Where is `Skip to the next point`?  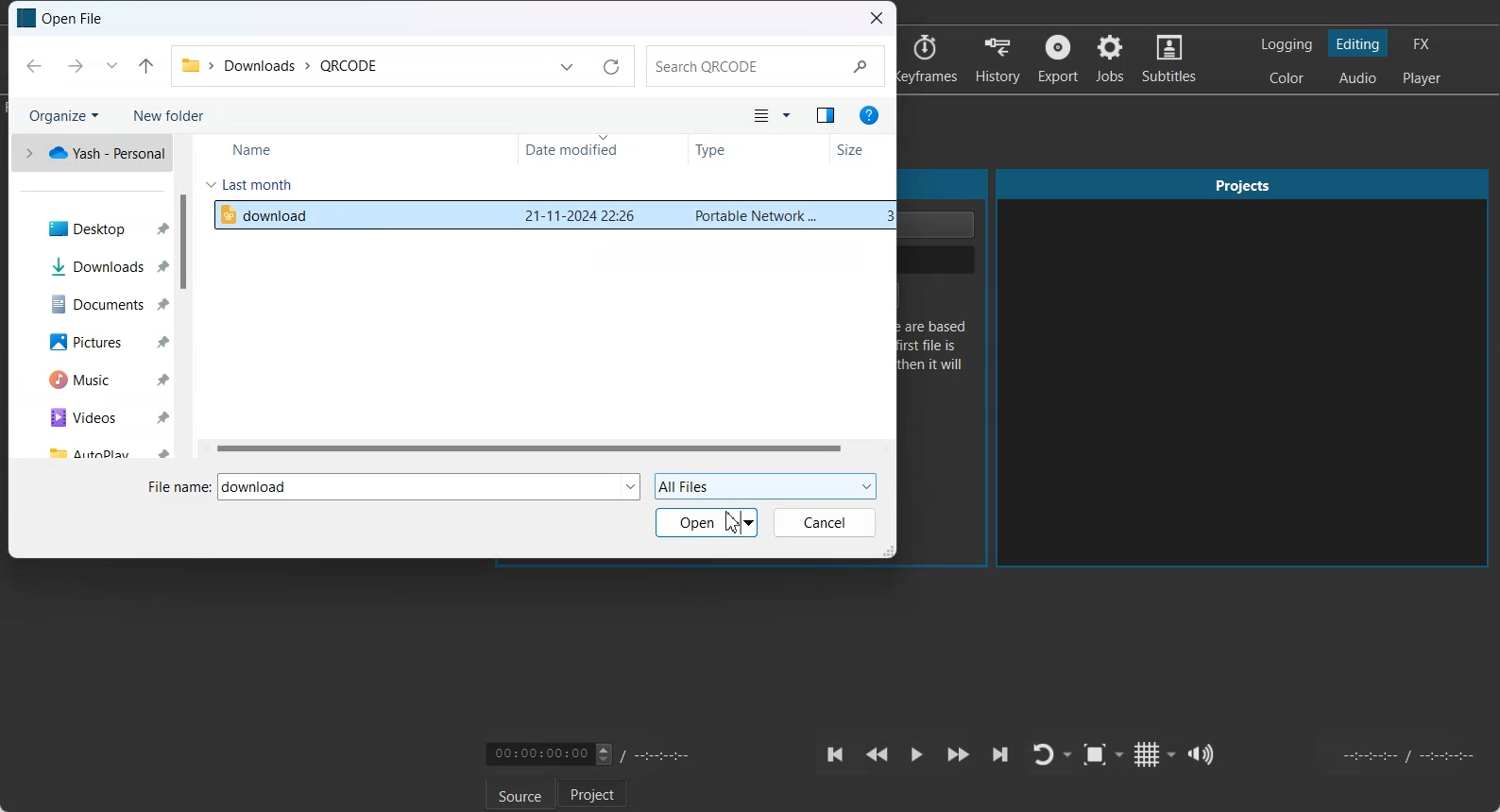 Skip to the next point is located at coordinates (999, 753).